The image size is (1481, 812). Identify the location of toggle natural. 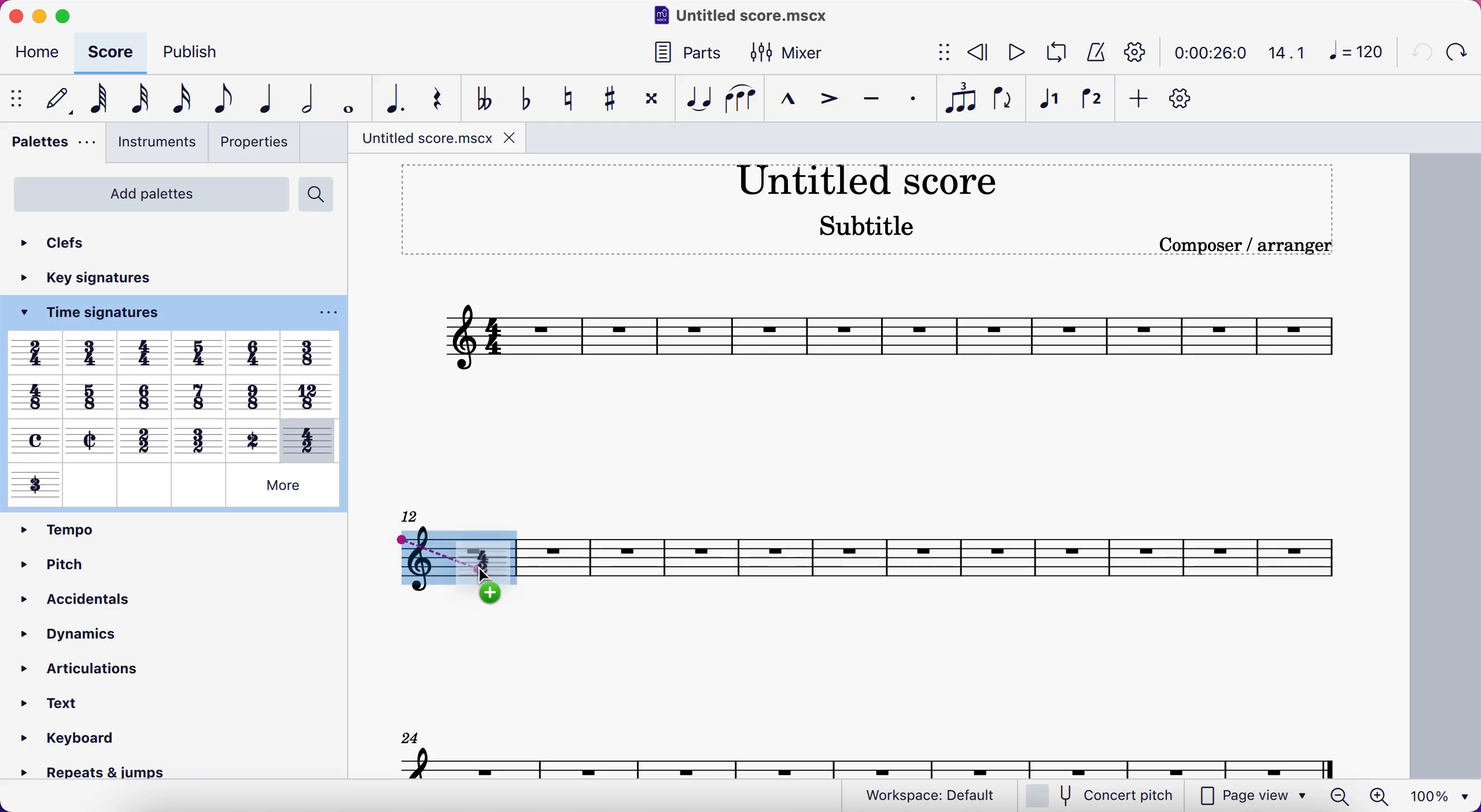
(565, 96).